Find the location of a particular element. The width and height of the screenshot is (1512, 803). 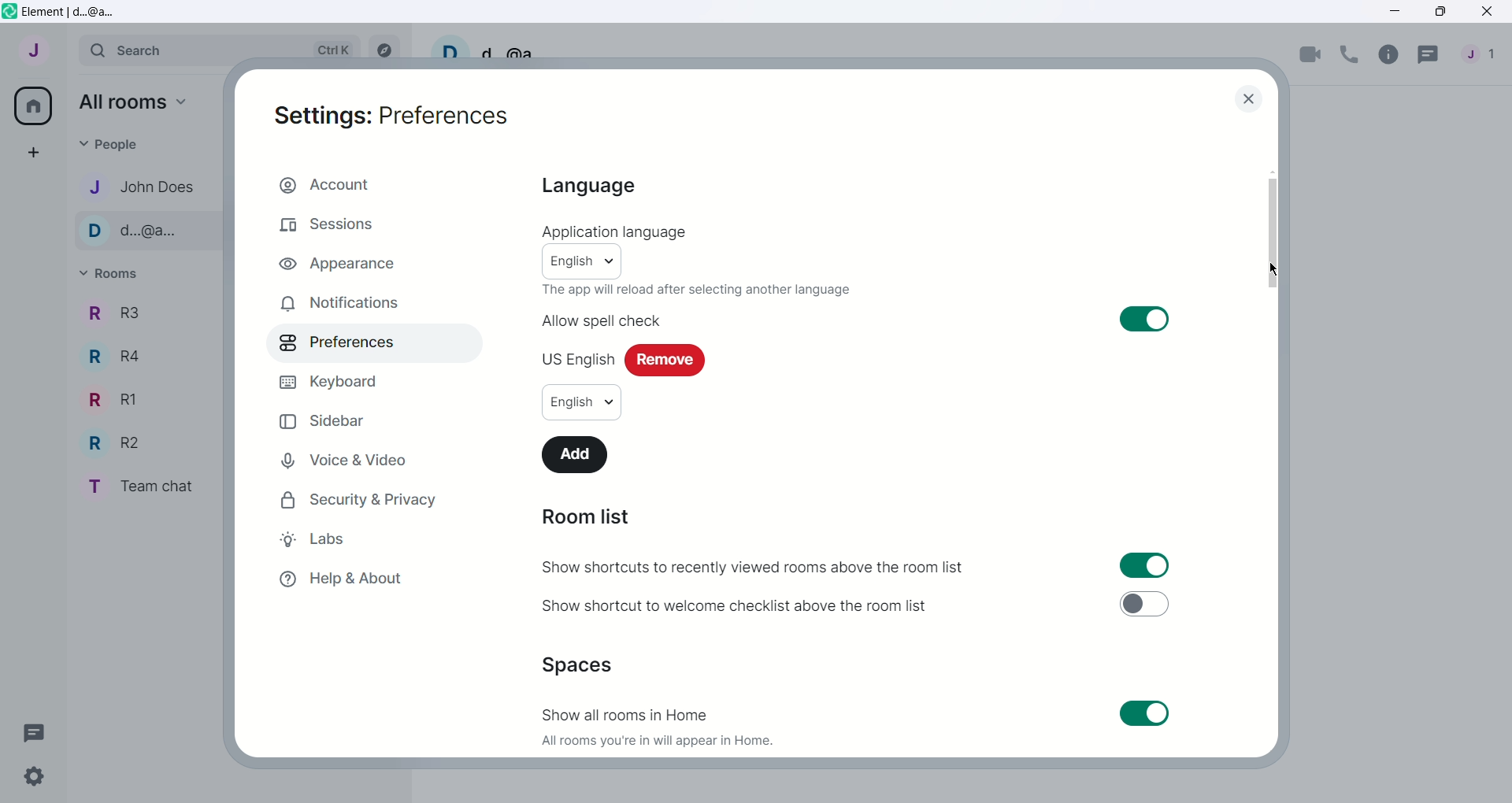

Labs is located at coordinates (360, 539).